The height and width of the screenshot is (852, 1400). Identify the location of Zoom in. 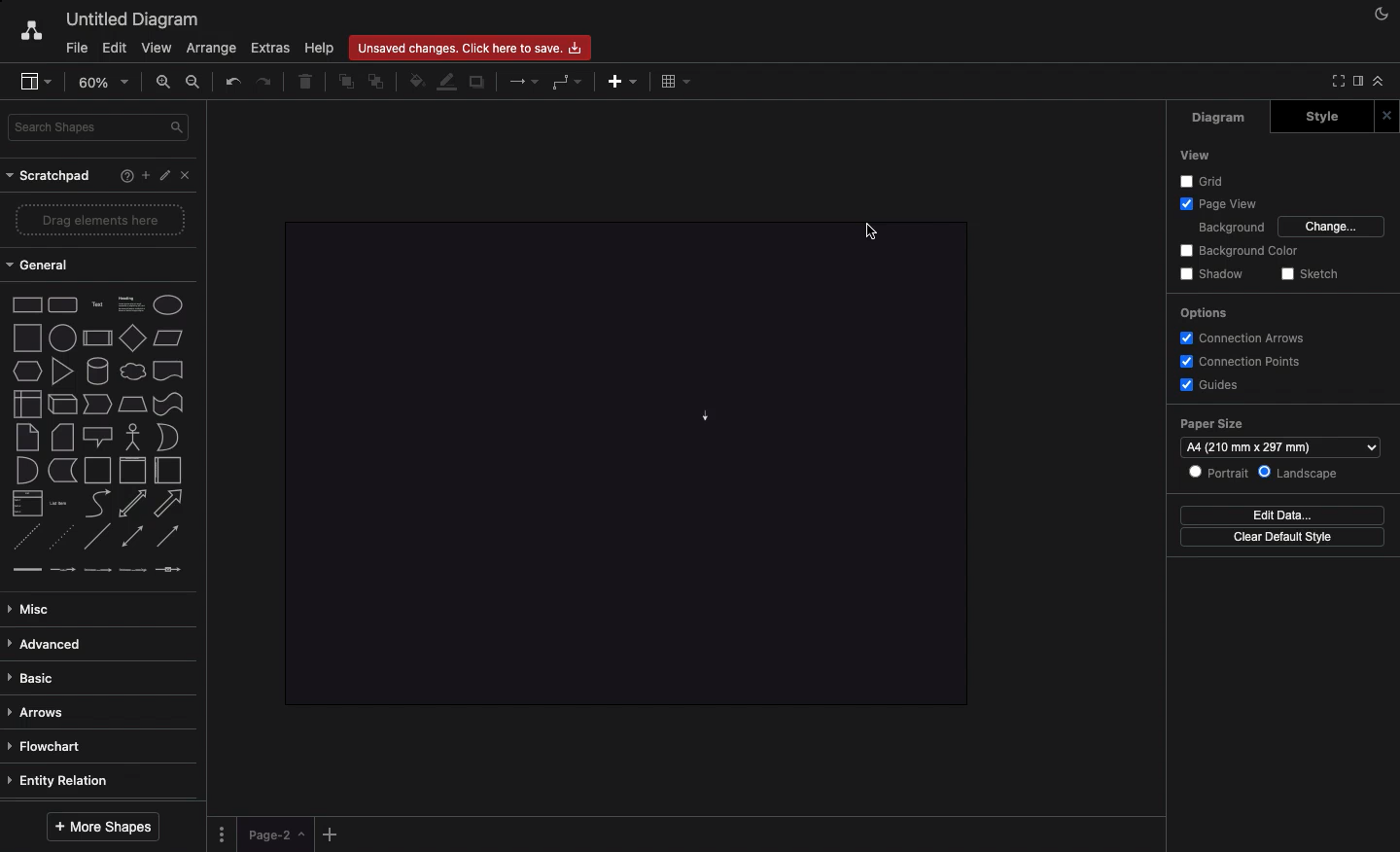
(164, 82).